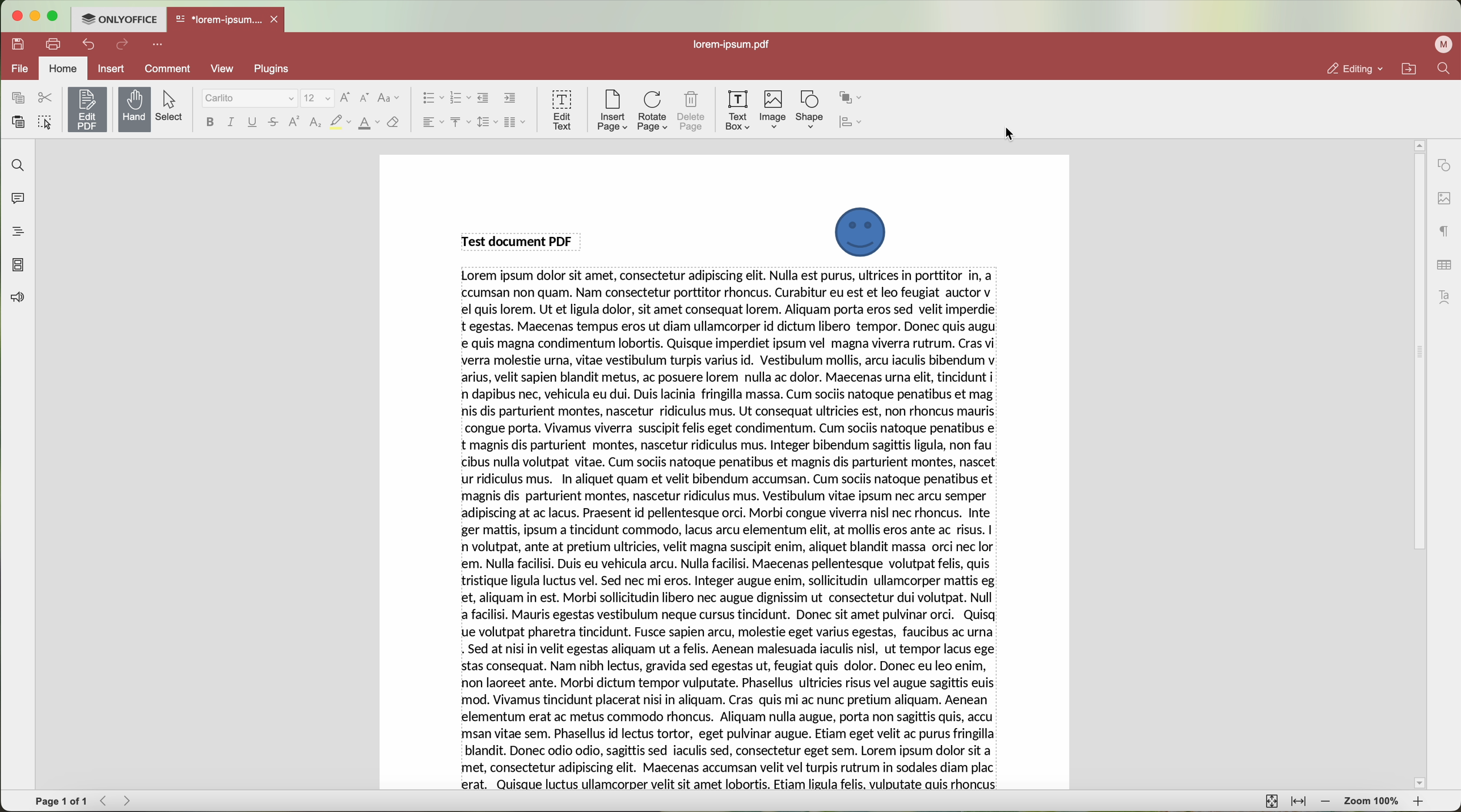 This screenshot has width=1461, height=812. Describe the element at coordinates (54, 18) in the screenshot. I see `maximize` at that location.